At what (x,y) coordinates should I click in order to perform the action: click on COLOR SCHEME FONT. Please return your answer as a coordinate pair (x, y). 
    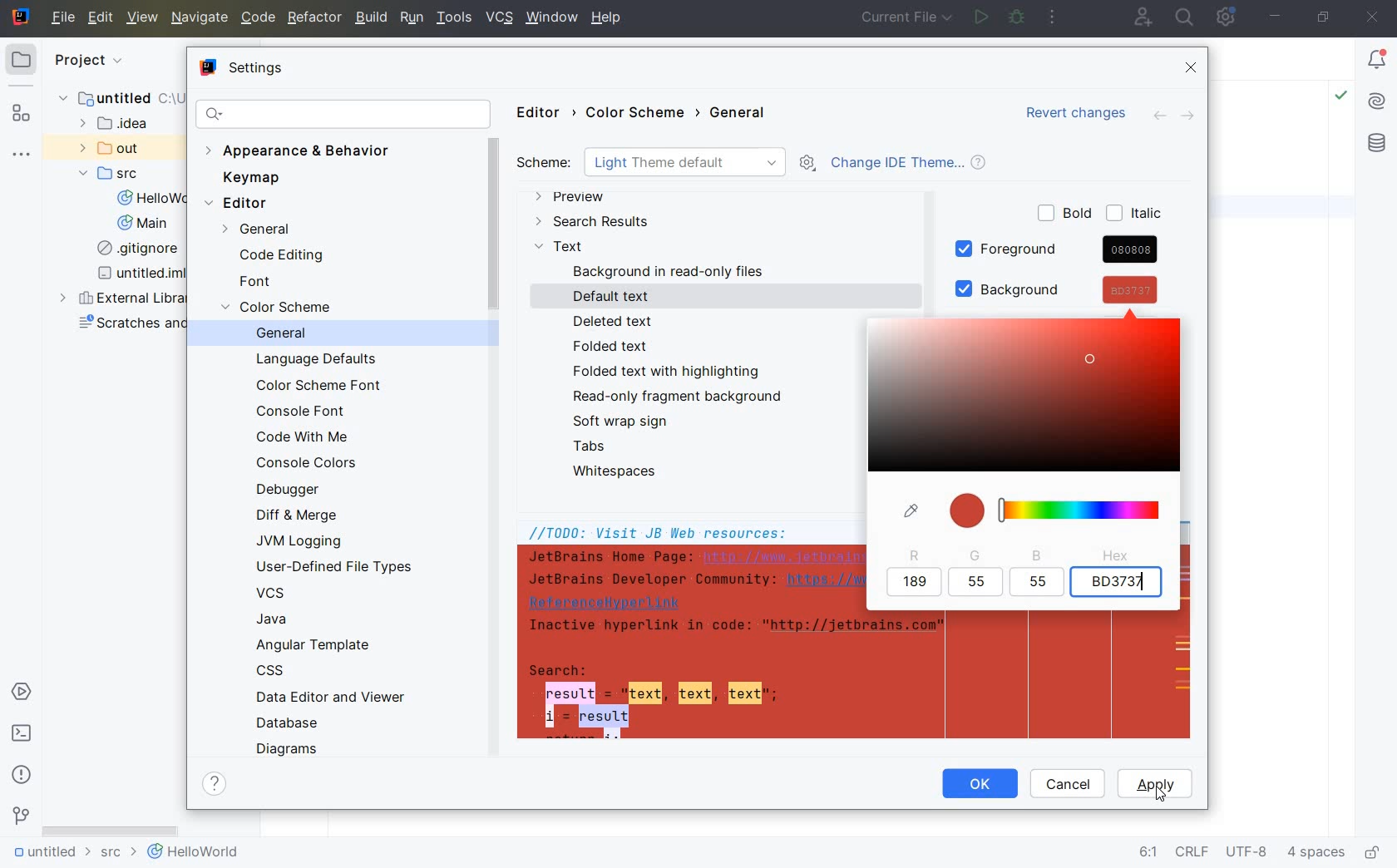
    Looking at the image, I should click on (318, 386).